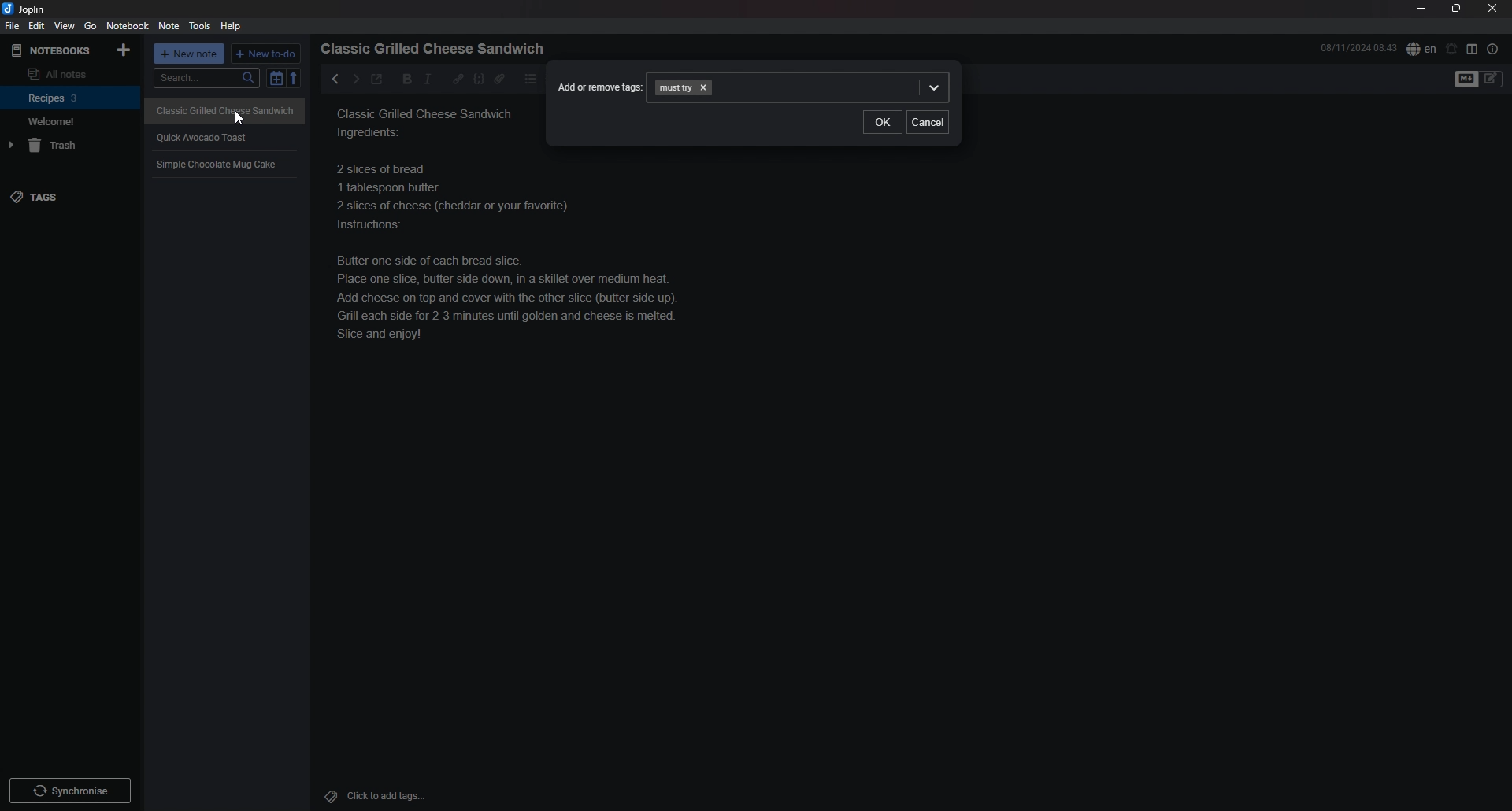  Describe the element at coordinates (53, 50) in the screenshot. I see `notebooks` at that location.